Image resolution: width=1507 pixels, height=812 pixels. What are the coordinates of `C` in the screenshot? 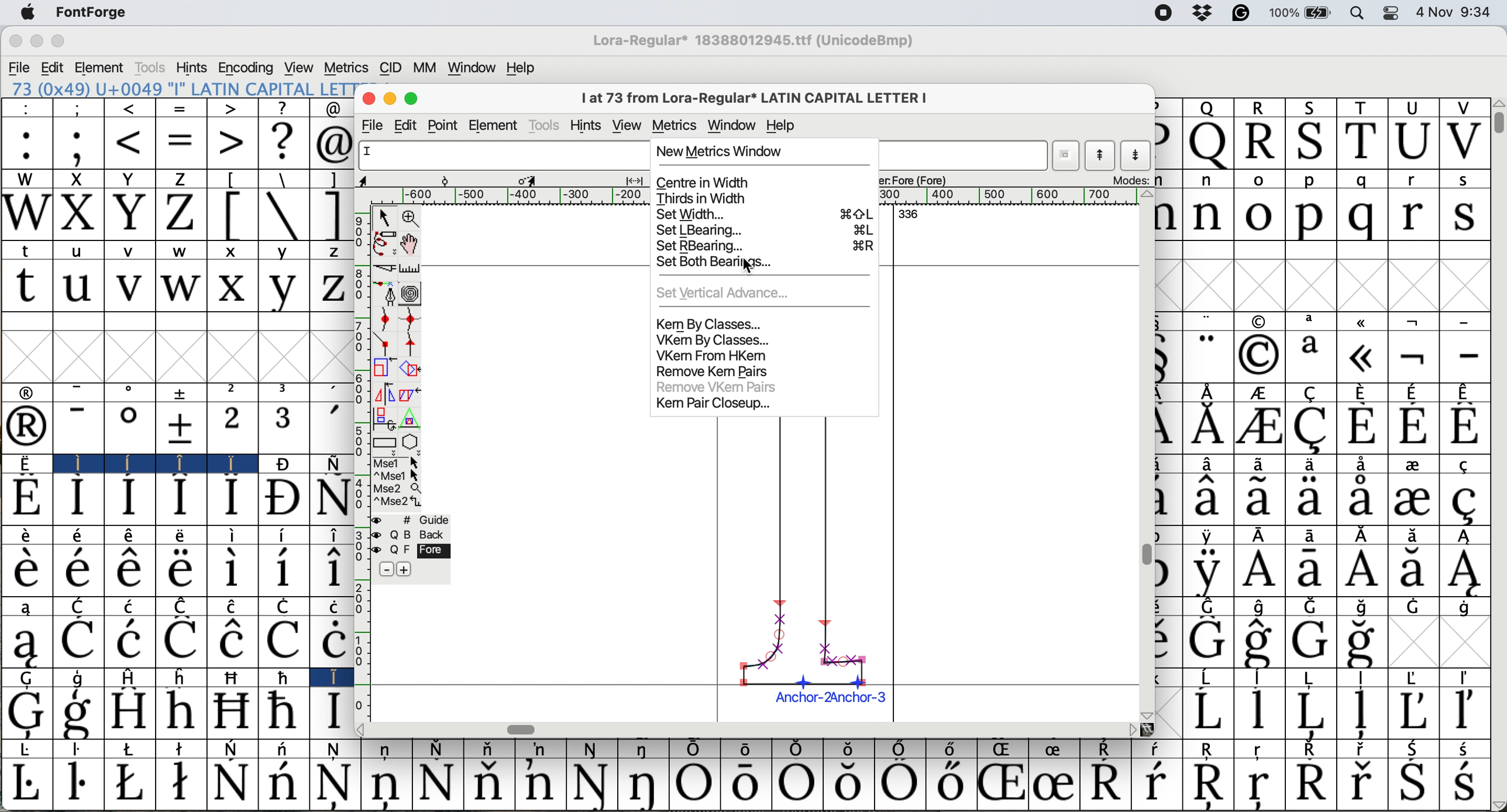 It's located at (78, 605).